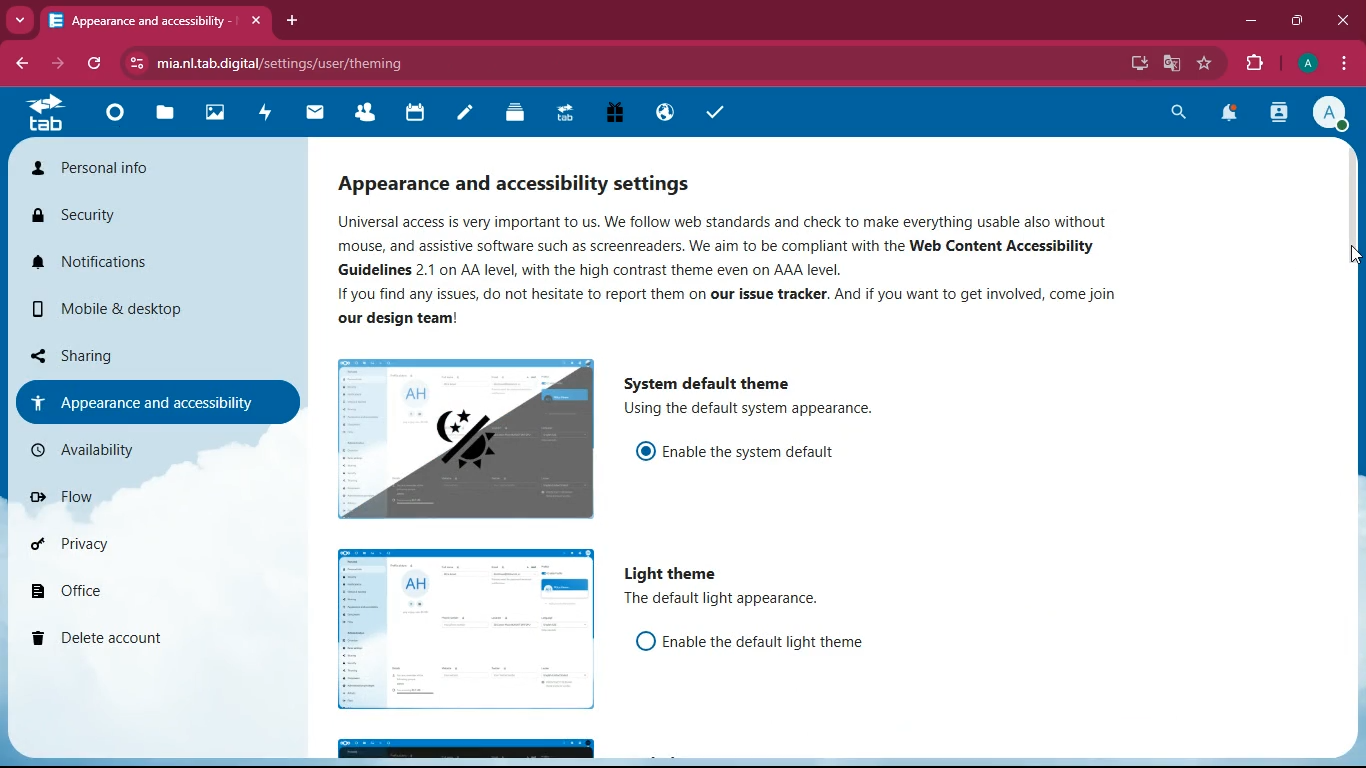  Describe the element at coordinates (1170, 64) in the screenshot. I see `google translate` at that location.